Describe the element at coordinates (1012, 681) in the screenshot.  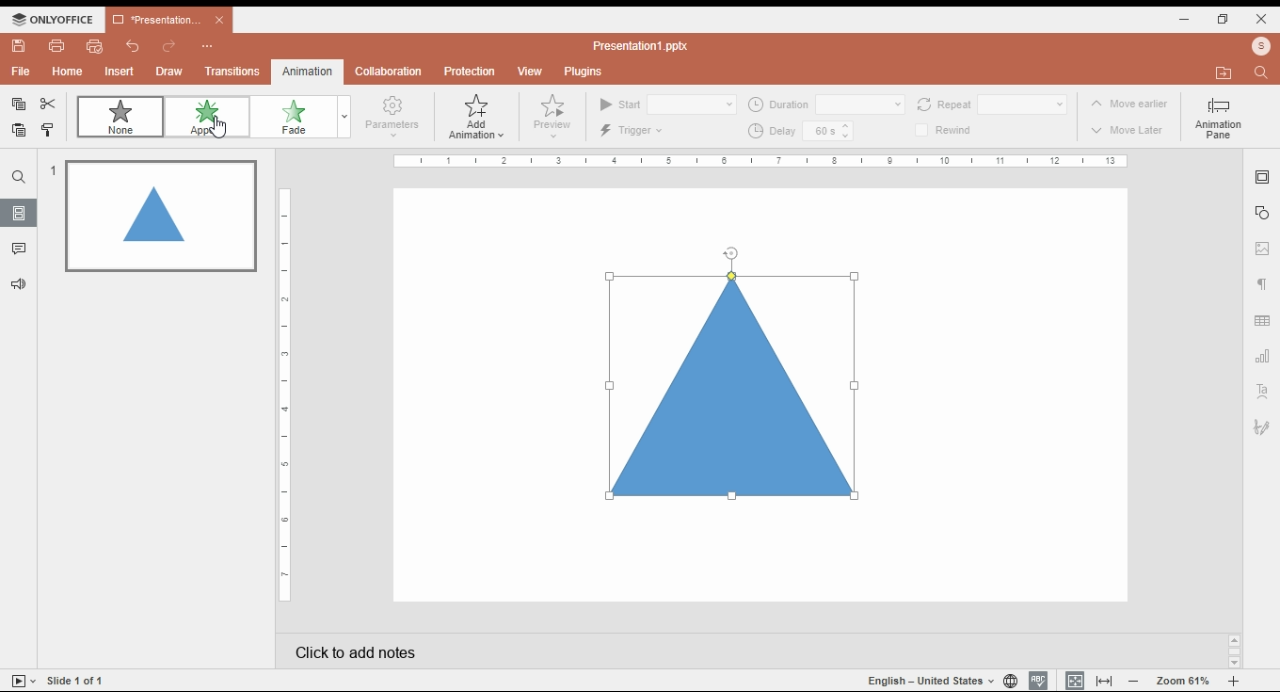
I see `set project language` at that location.